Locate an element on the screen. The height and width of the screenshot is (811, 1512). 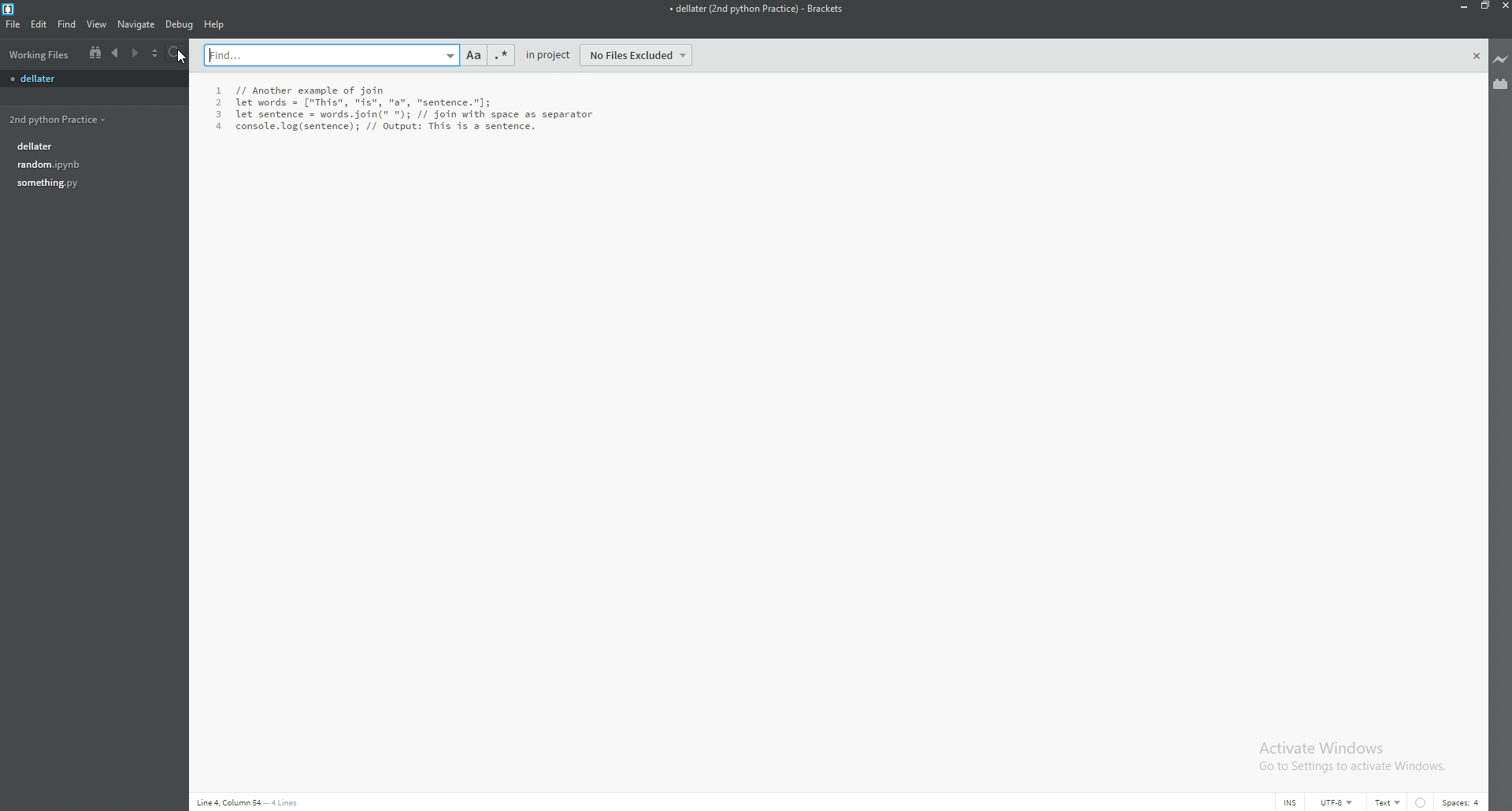
file is located at coordinates (14, 25).